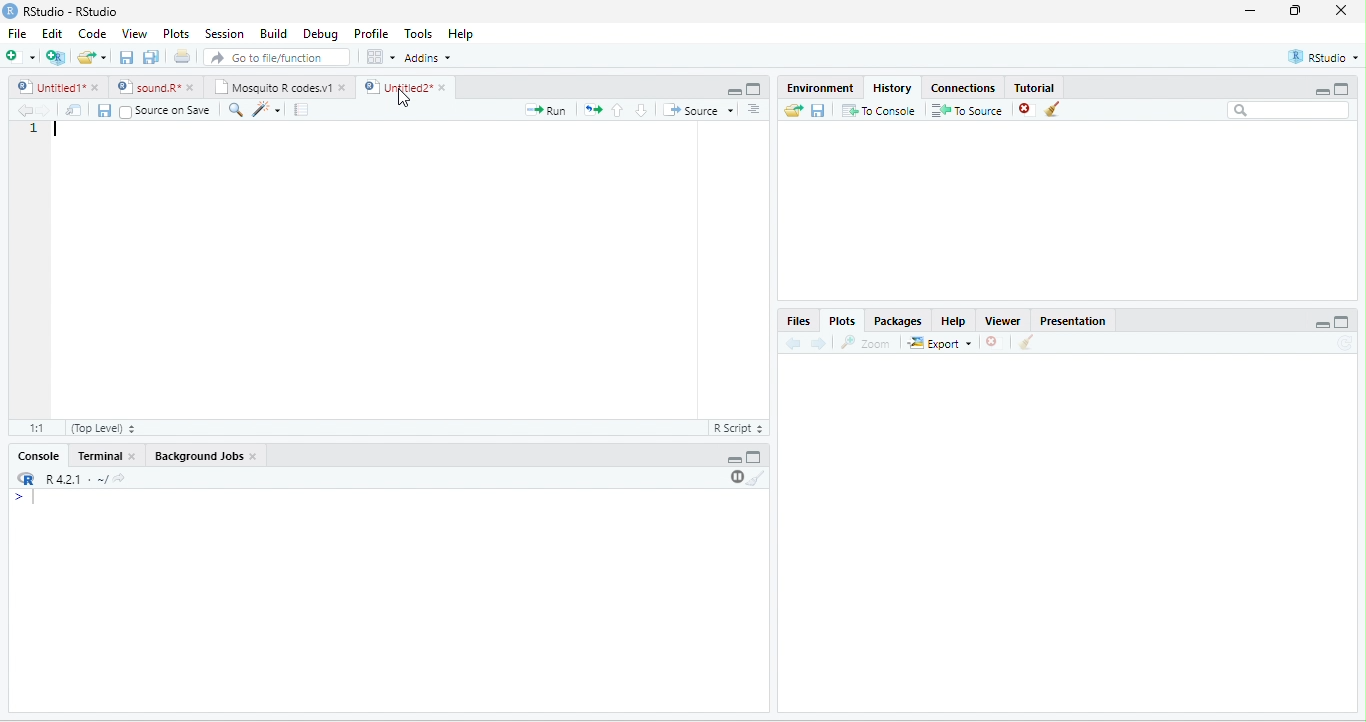 This screenshot has height=722, width=1366. I want to click on show in new window, so click(75, 110).